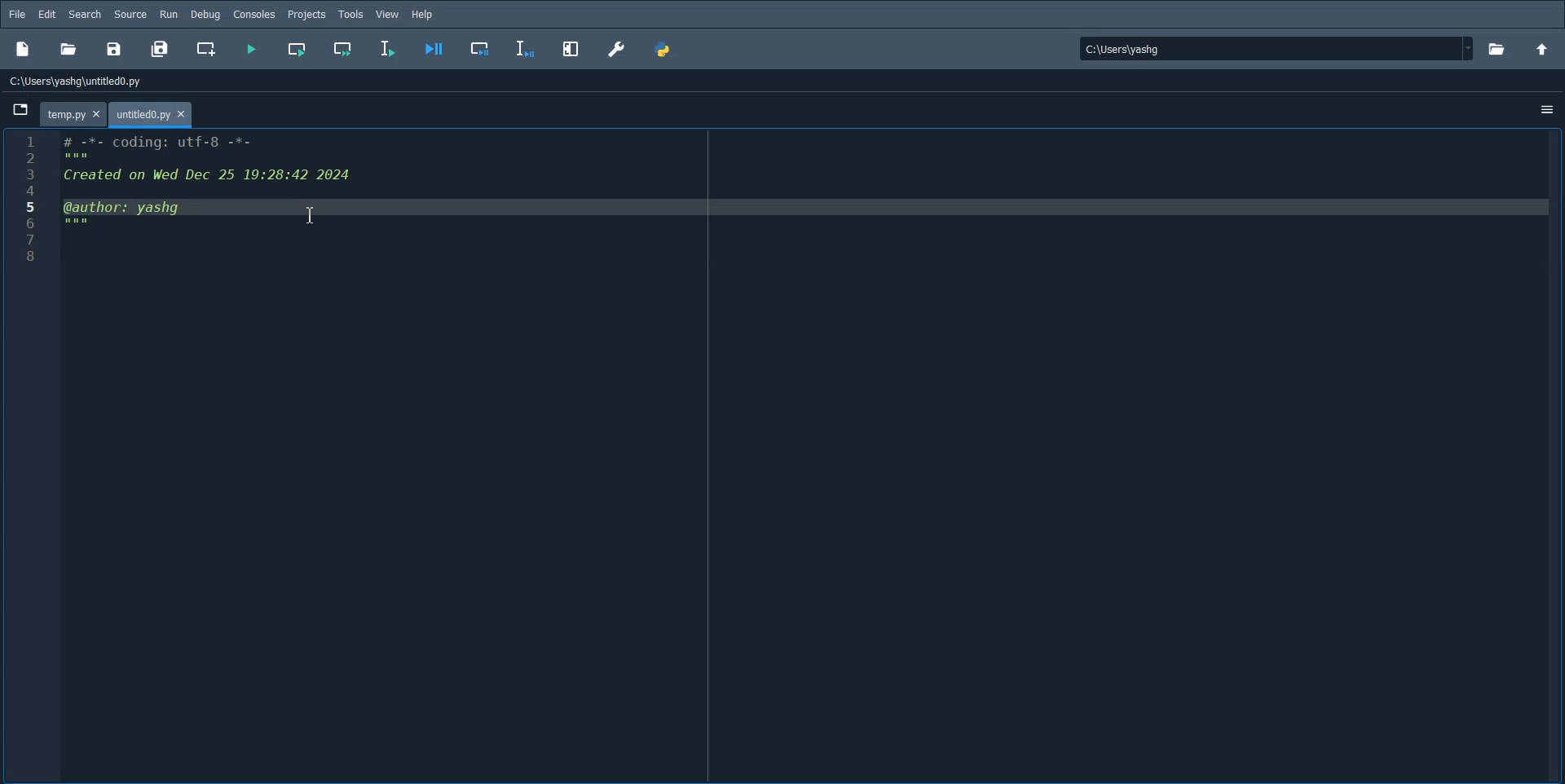  I want to click on View, so click(388, 13).